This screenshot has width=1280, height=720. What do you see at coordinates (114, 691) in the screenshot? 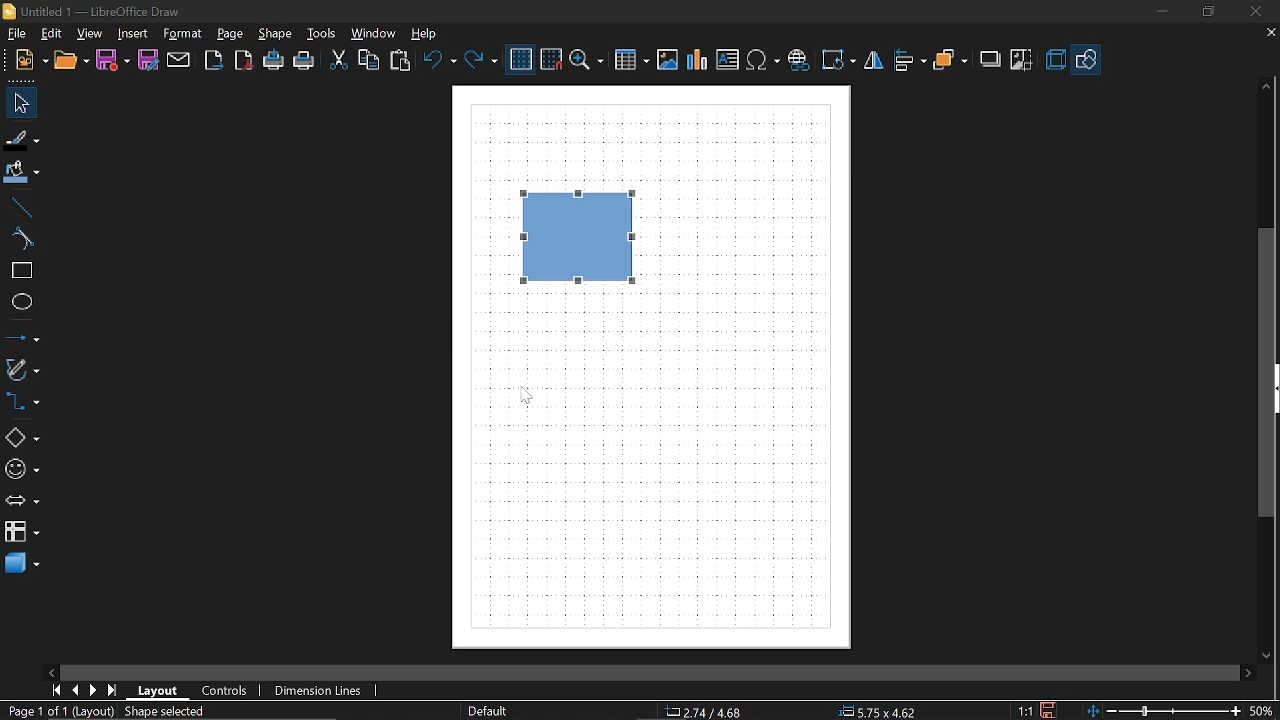
I see `go to last page` at bounding box center [114, 691].